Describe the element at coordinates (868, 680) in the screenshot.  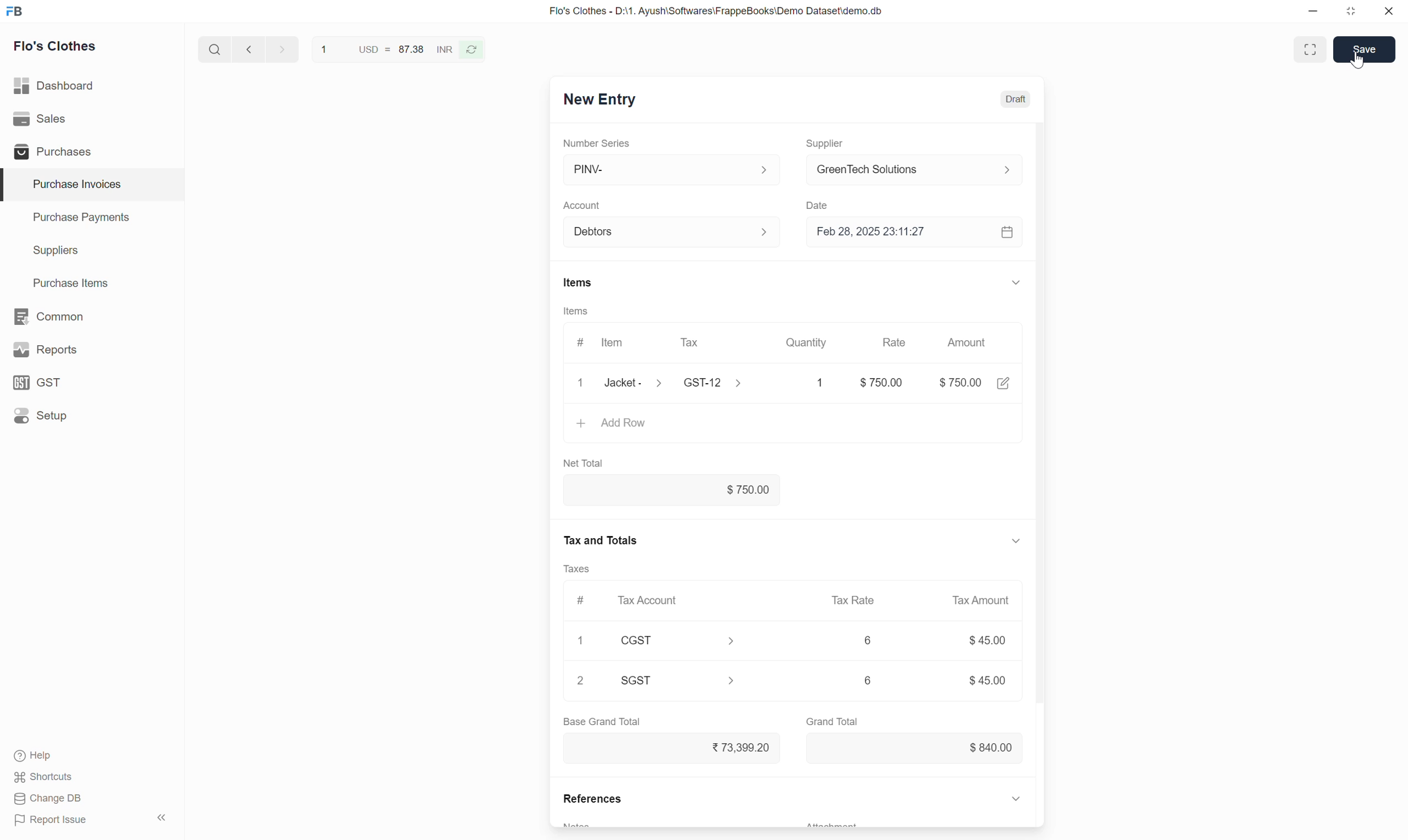
I see `6` at that location.